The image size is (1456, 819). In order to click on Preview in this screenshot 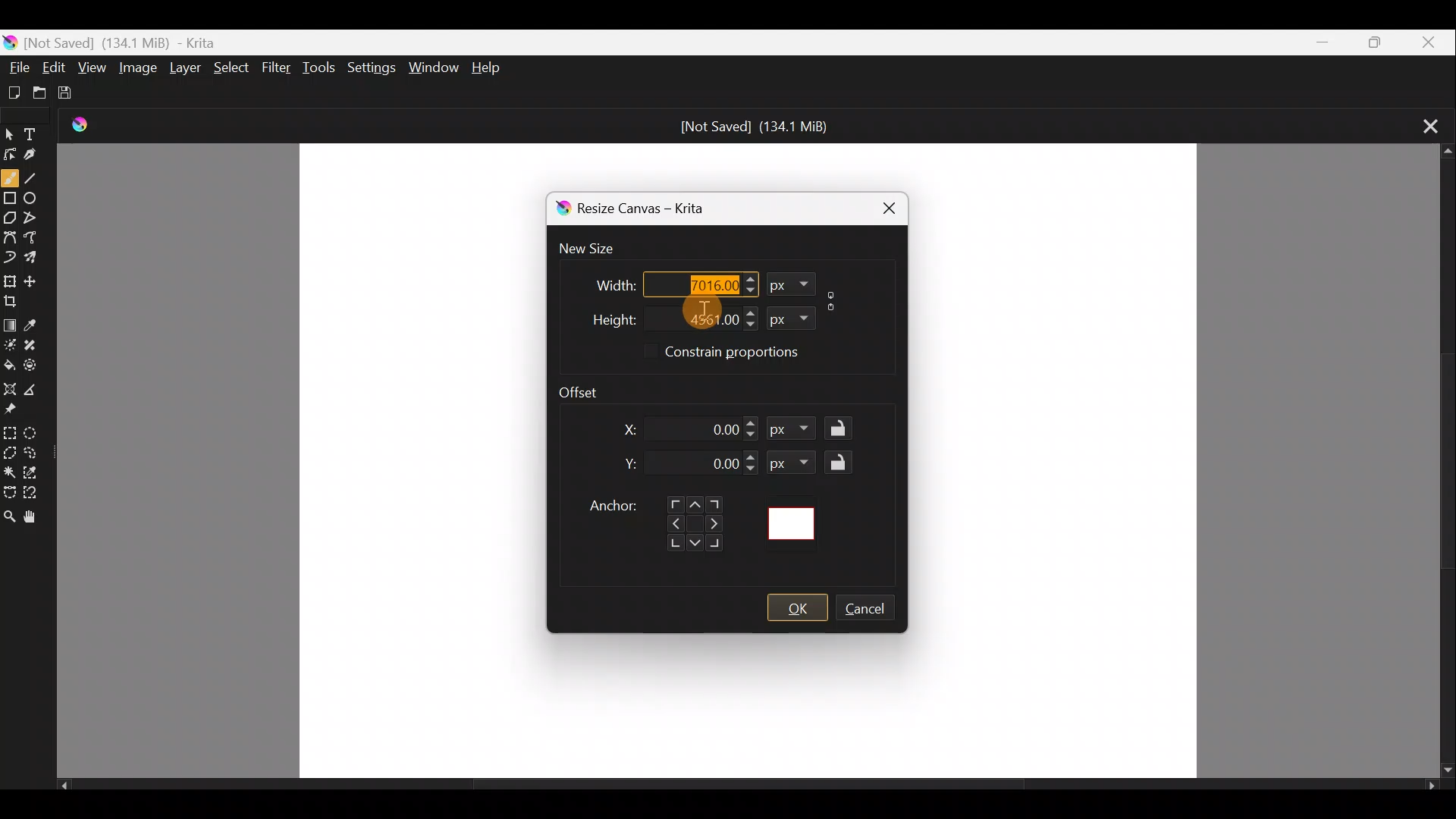, I will do `click(800, 523)`.